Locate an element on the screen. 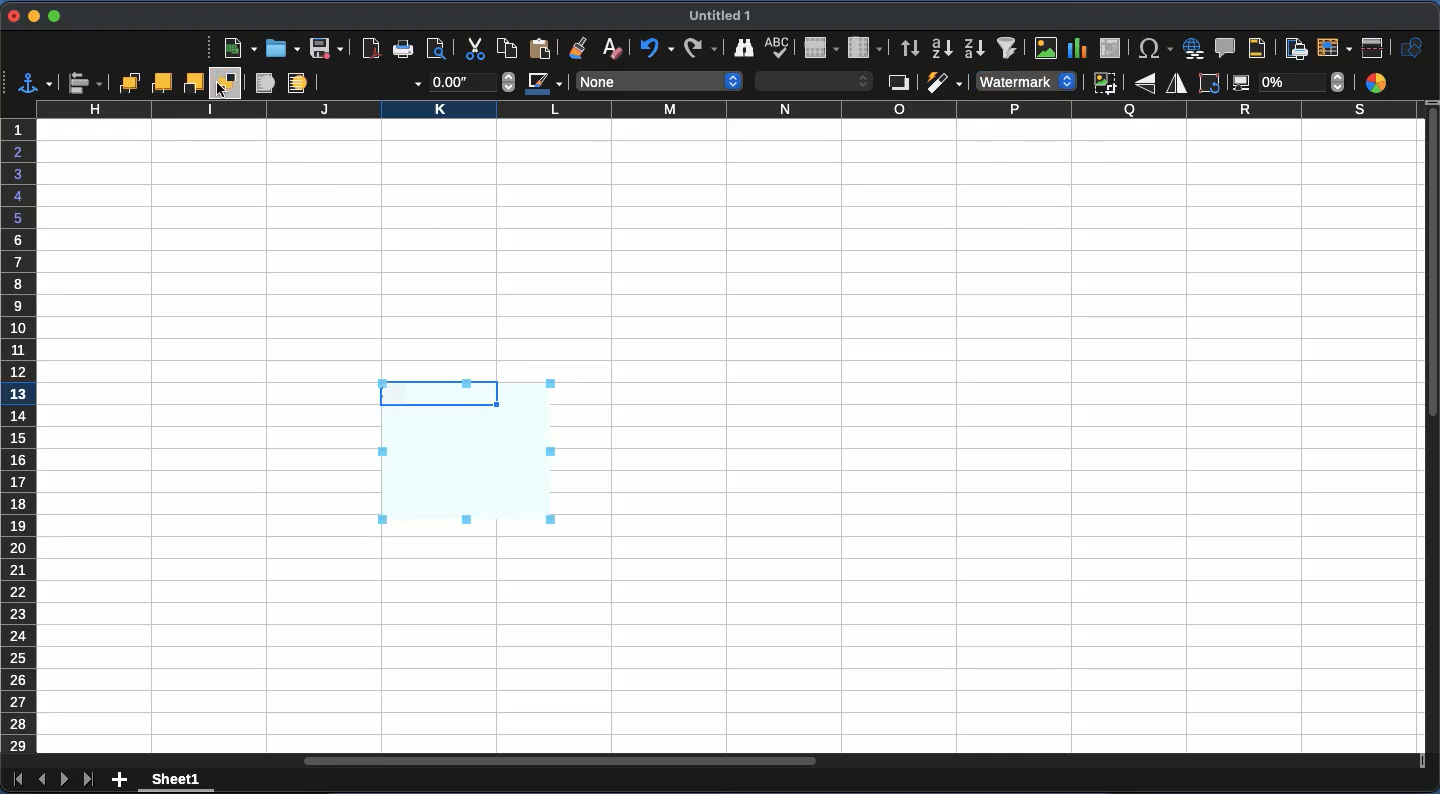  clone formatting is located at coordinates (588, 46).